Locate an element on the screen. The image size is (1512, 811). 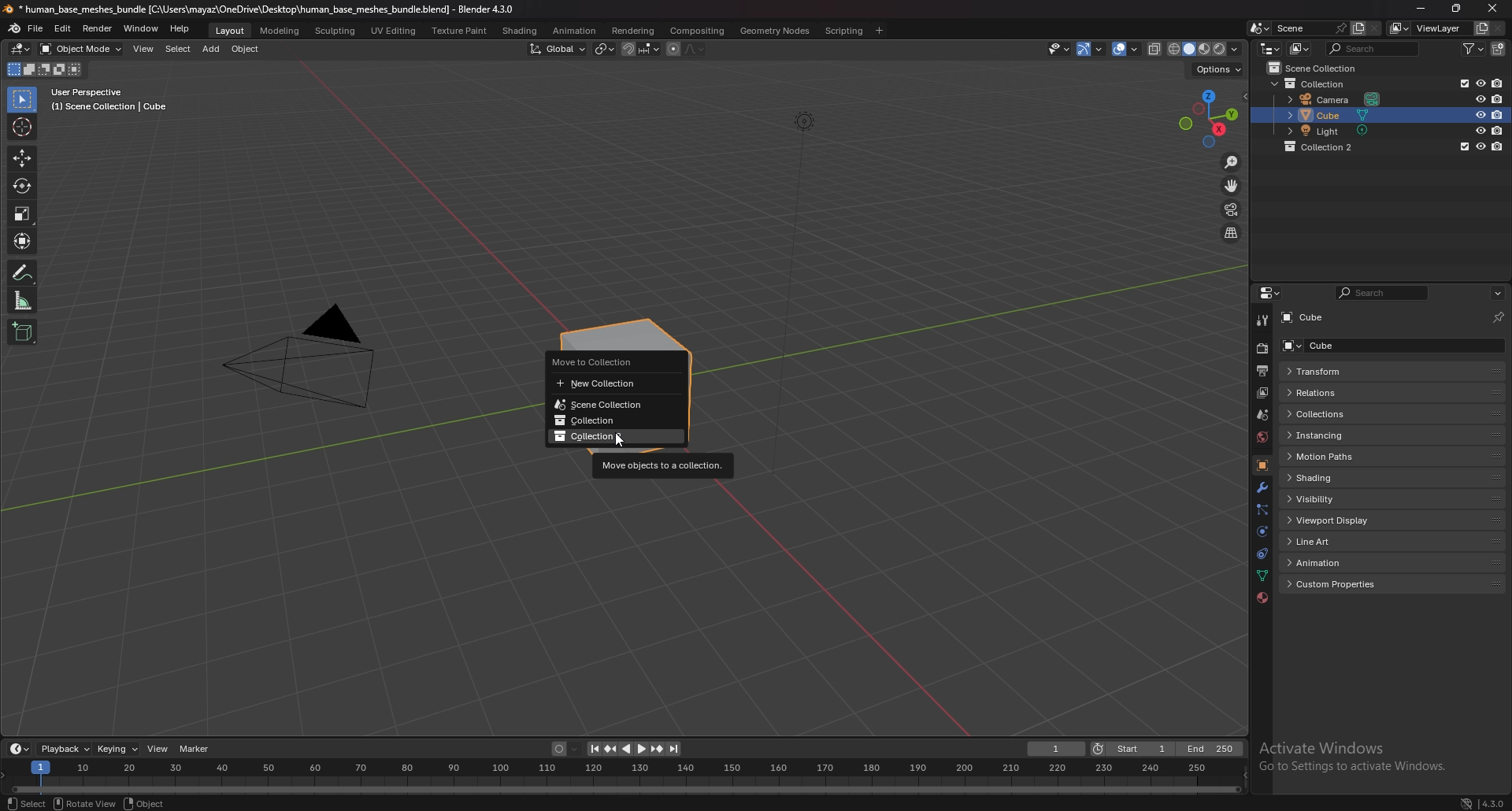
object is located at coordinates (143, 802).